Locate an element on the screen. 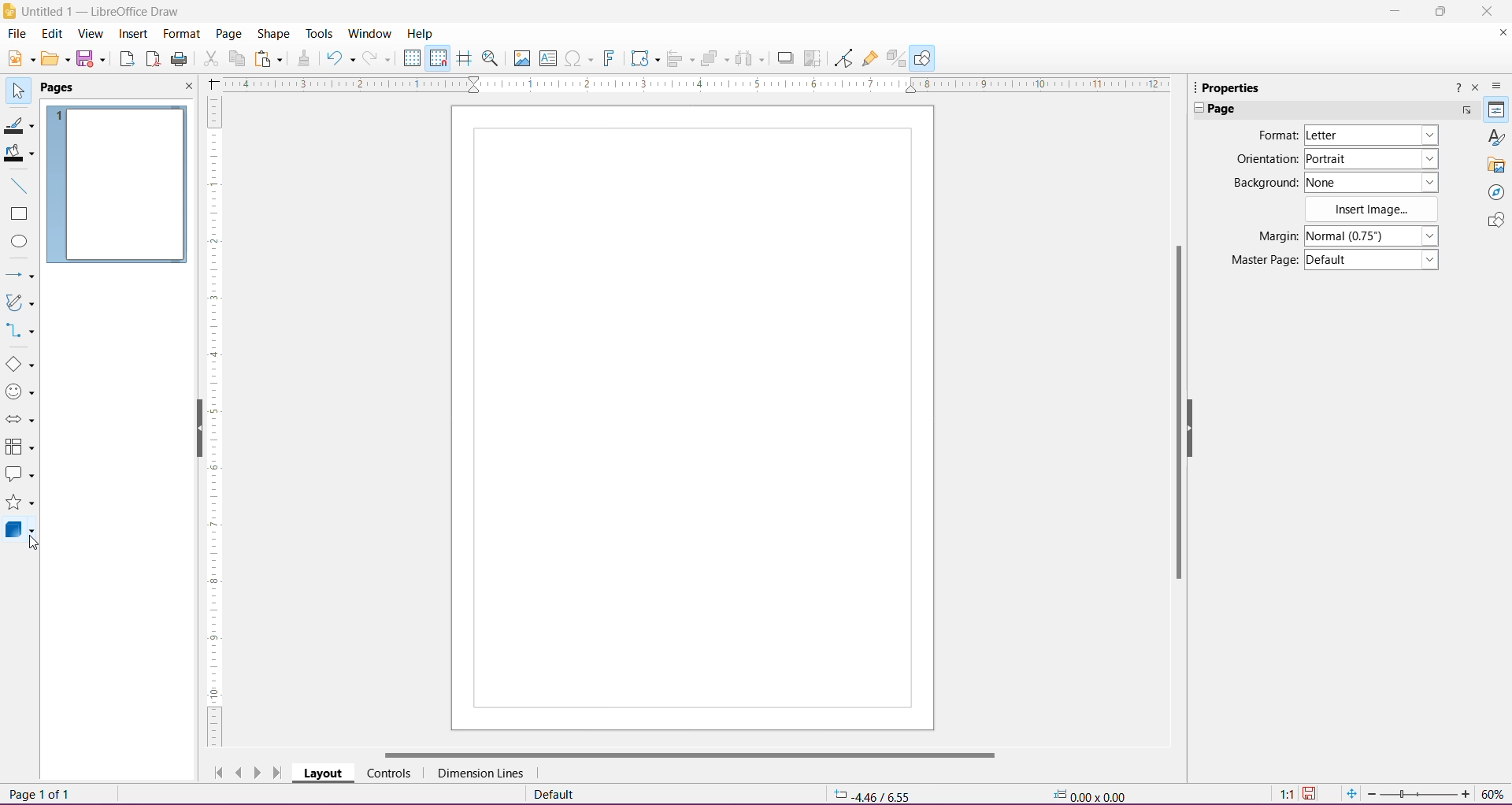  Page 1 is located at coordinates (117, 186).